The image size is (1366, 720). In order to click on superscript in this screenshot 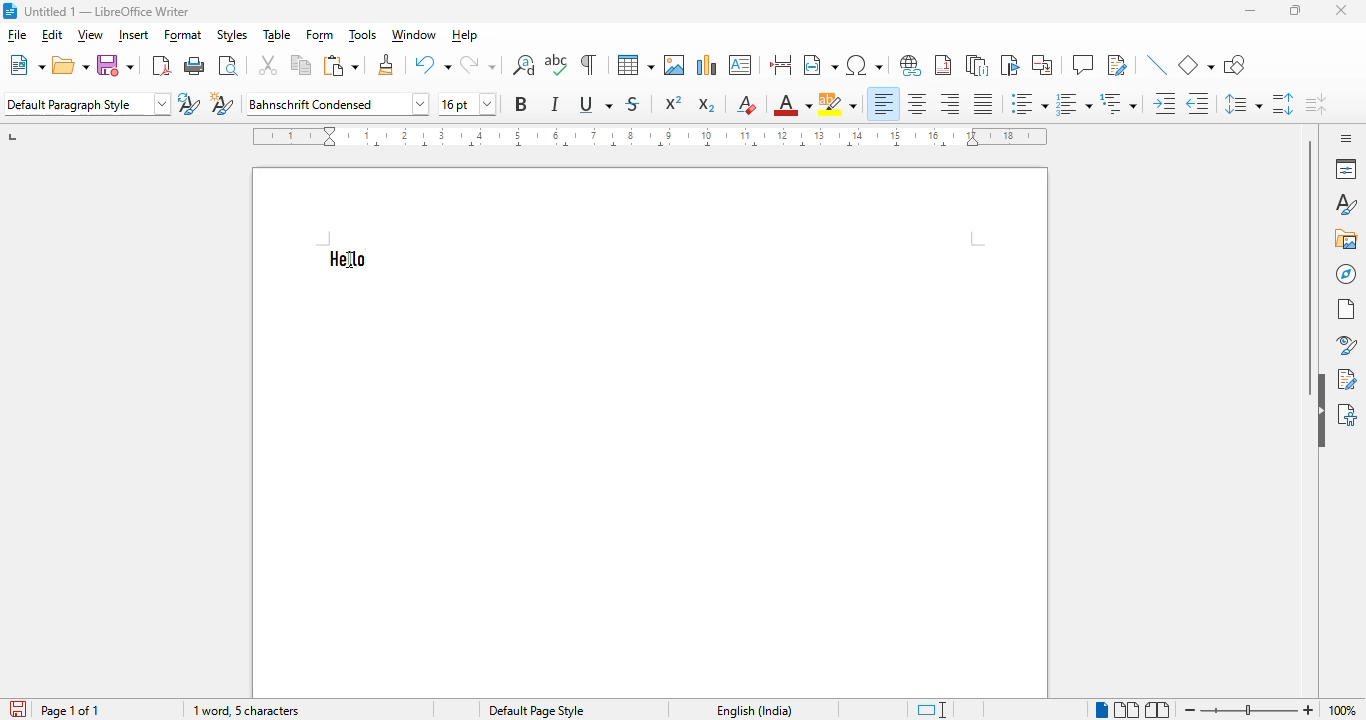, I will do `click(674, 103)`.